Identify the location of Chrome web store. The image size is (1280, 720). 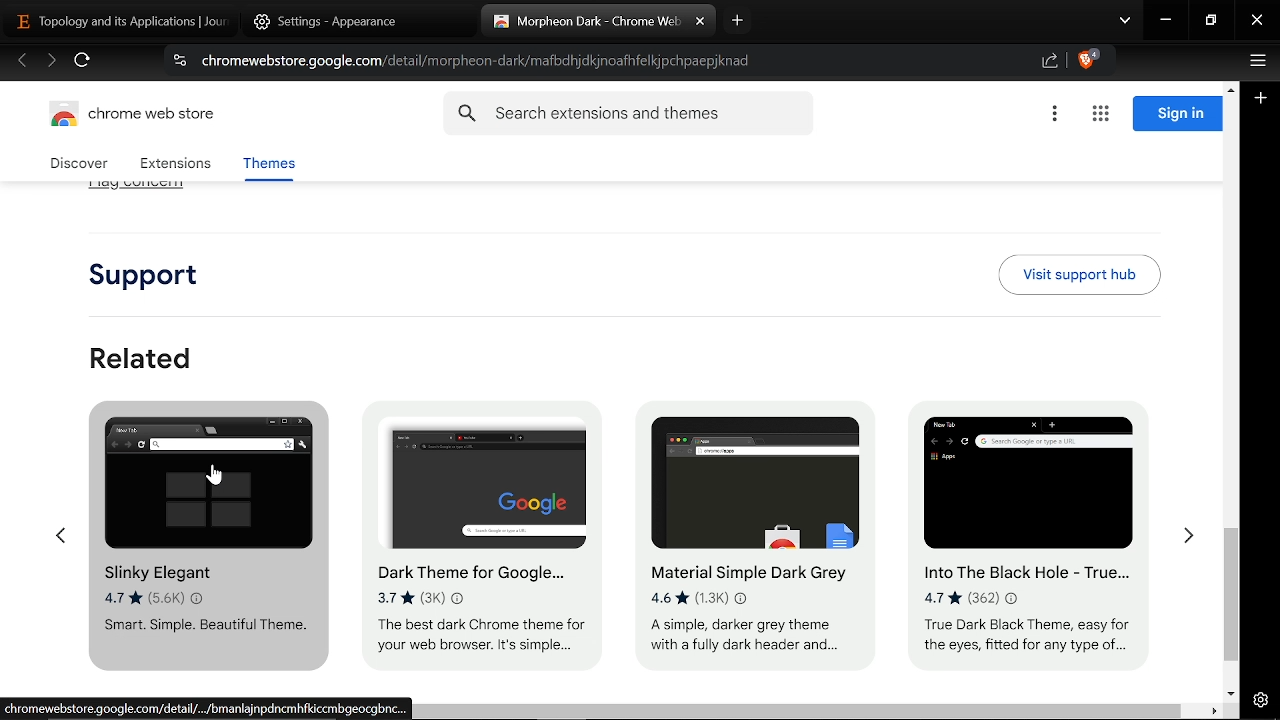
(138, 117).